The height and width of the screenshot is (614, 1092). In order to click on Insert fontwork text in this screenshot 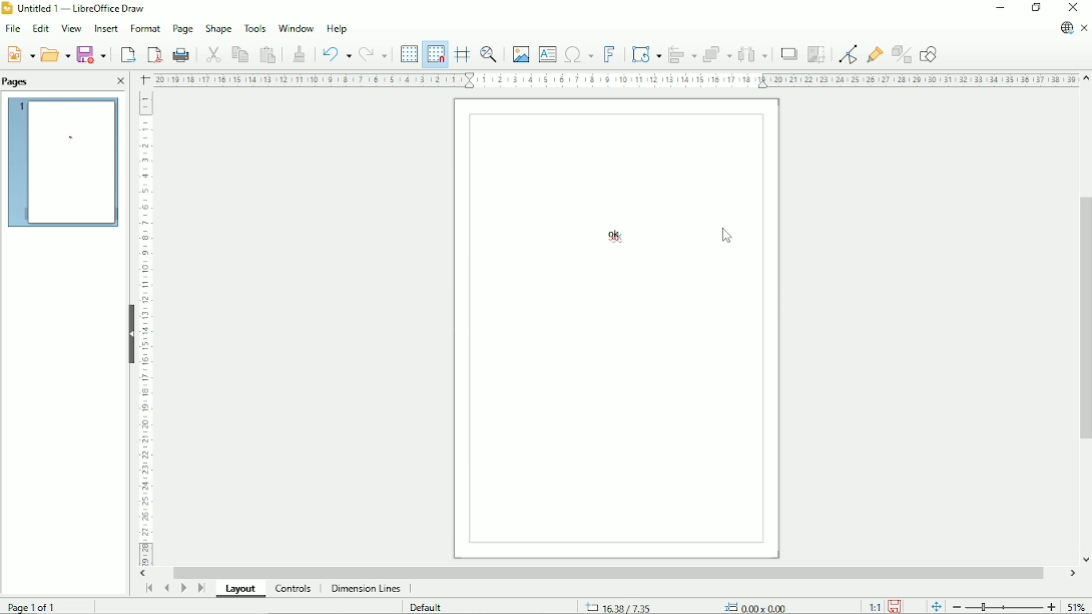, I will do `click(609, 53)`.